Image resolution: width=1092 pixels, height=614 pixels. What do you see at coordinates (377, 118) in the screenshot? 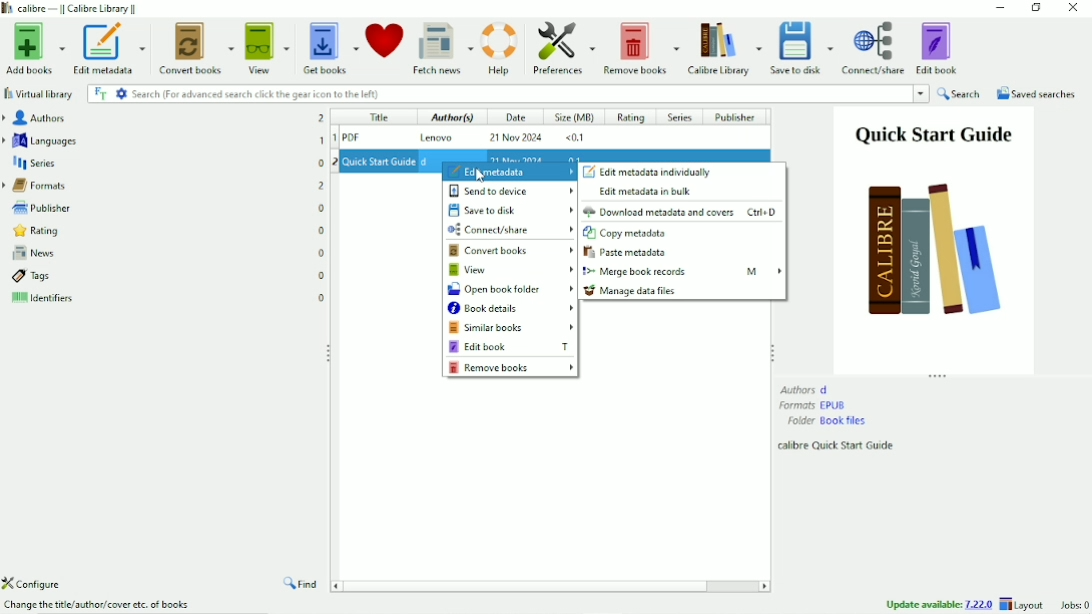
I see `Title` at bounding box center [377, 118].